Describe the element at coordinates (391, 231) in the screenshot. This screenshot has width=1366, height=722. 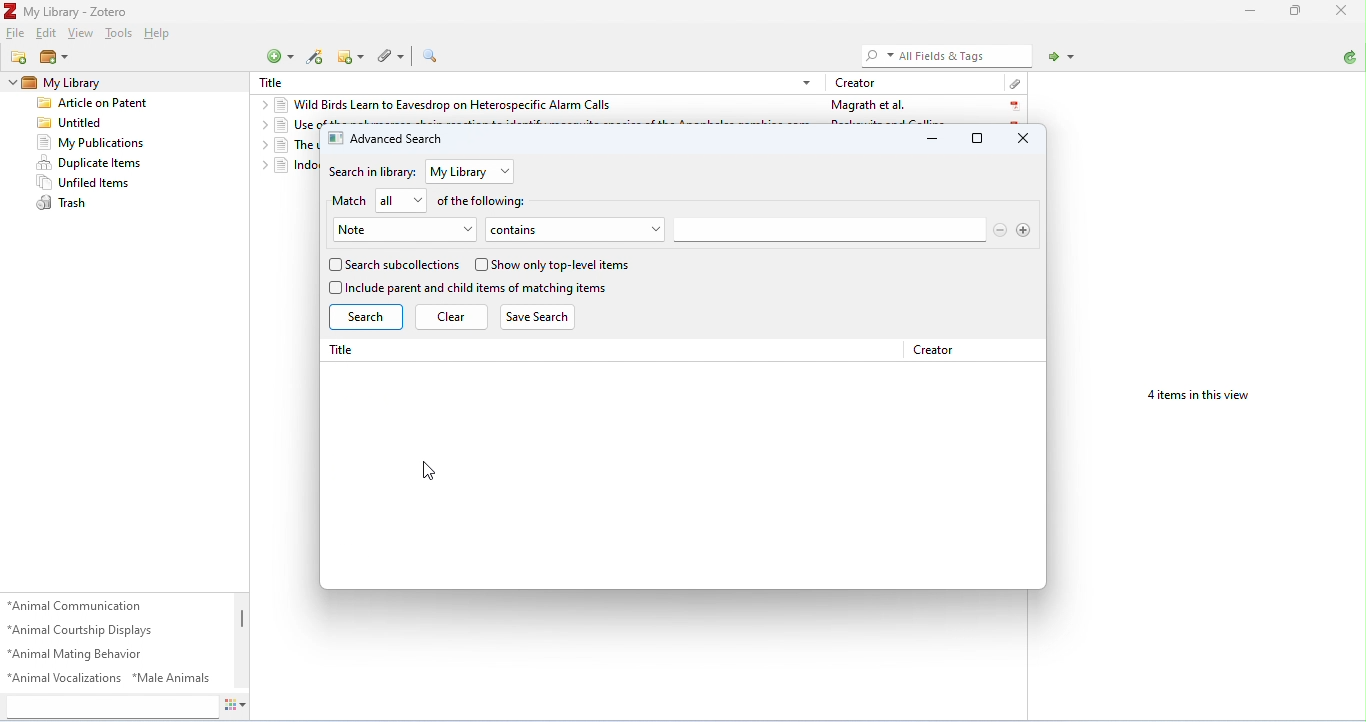
I see `Note` at that location.